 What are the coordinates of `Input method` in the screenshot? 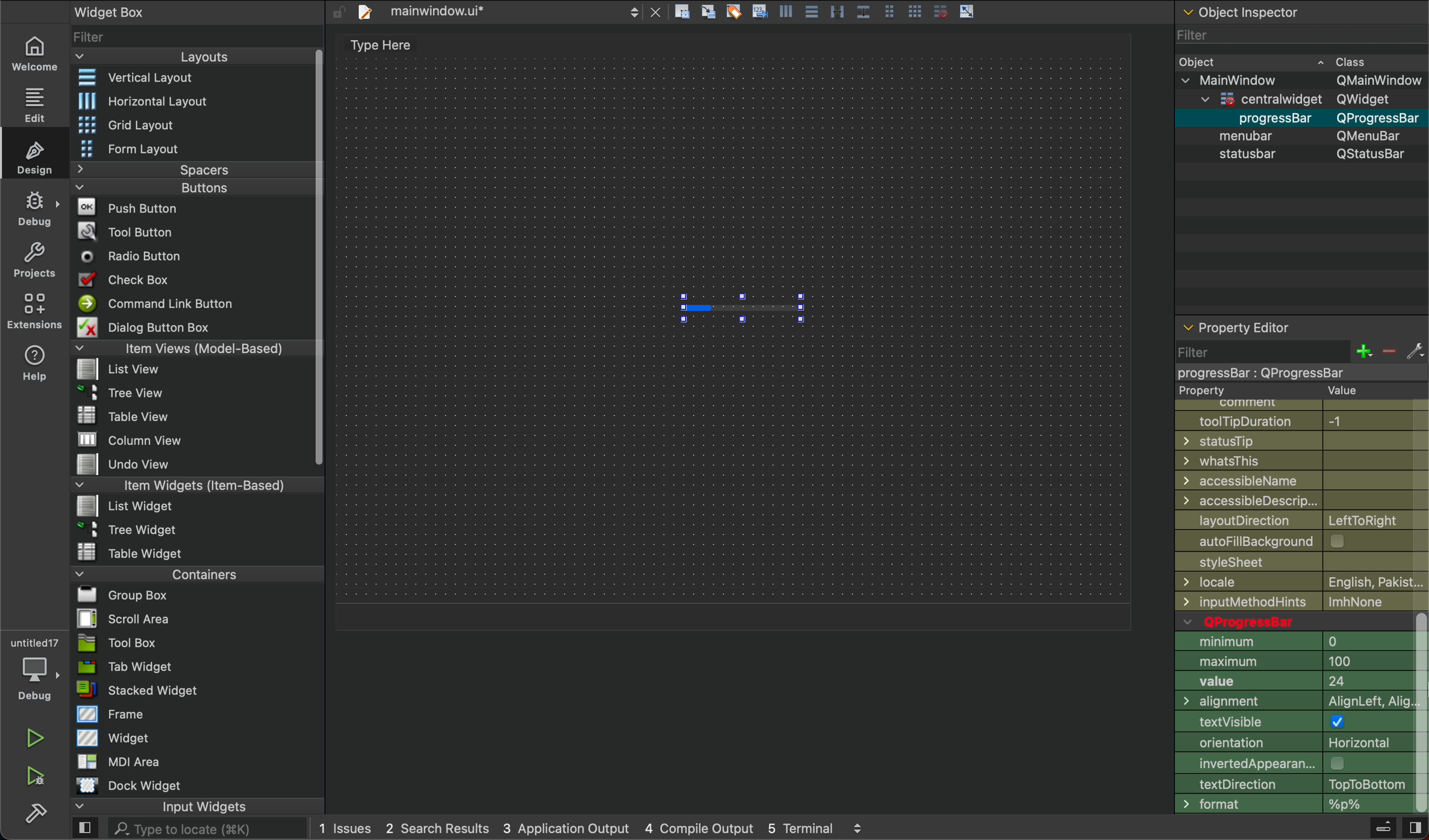 It's located at (1304, 602).